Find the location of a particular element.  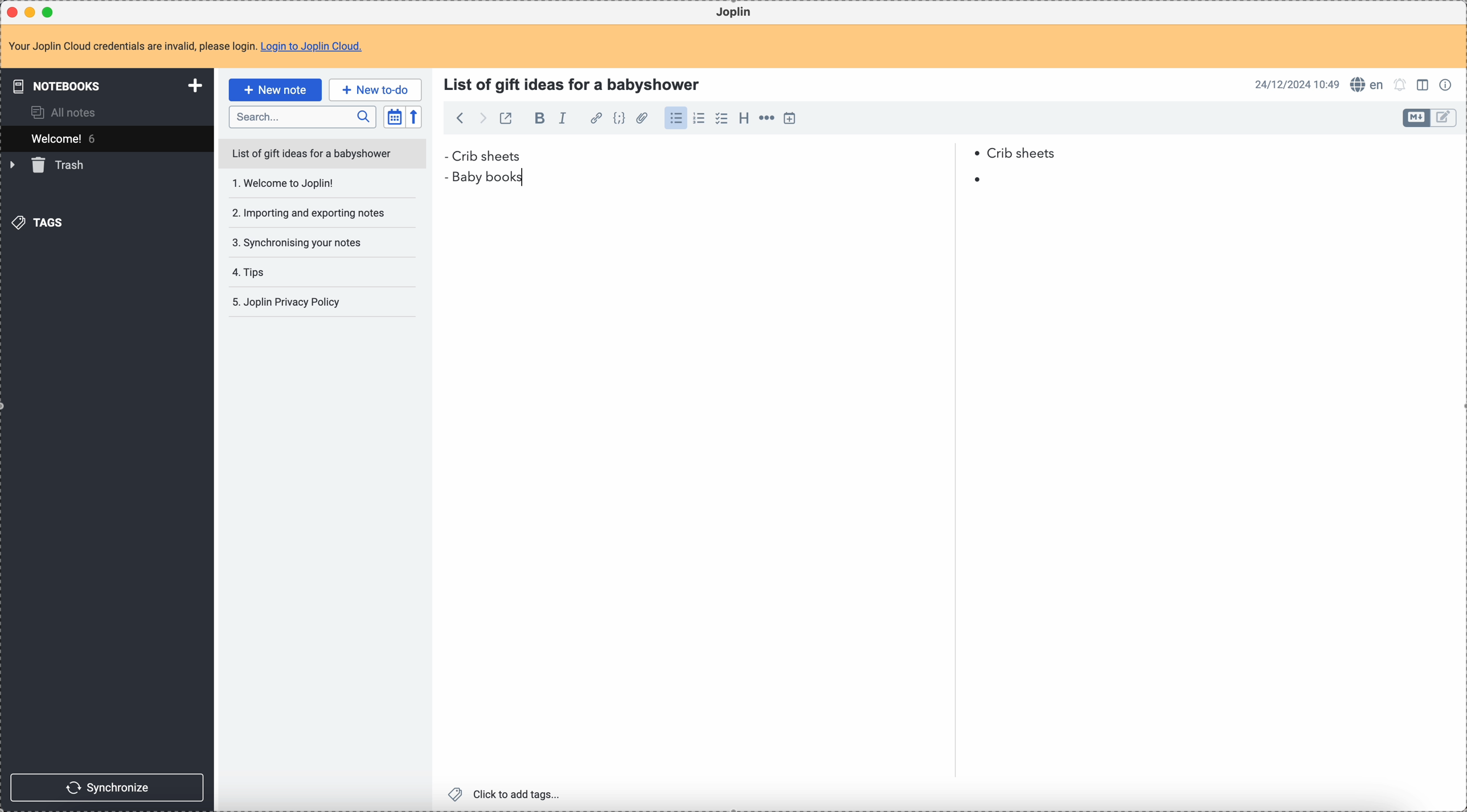

Joplin is located at coordinates (736, 13).